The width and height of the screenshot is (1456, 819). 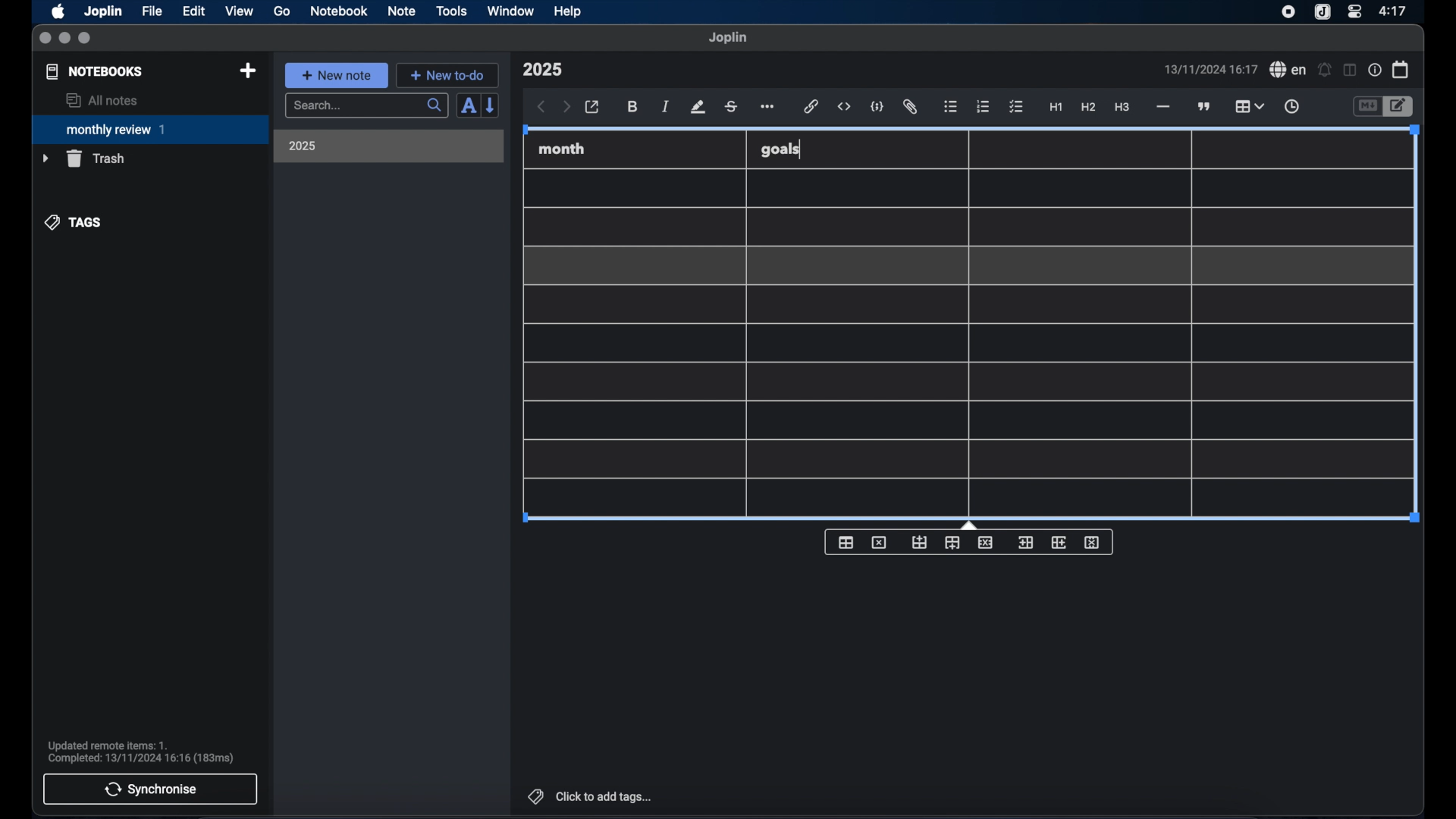 What do you see at coordinates (566, 108) in the screenshot?
I see `forward` at bounding box center [566, 108].